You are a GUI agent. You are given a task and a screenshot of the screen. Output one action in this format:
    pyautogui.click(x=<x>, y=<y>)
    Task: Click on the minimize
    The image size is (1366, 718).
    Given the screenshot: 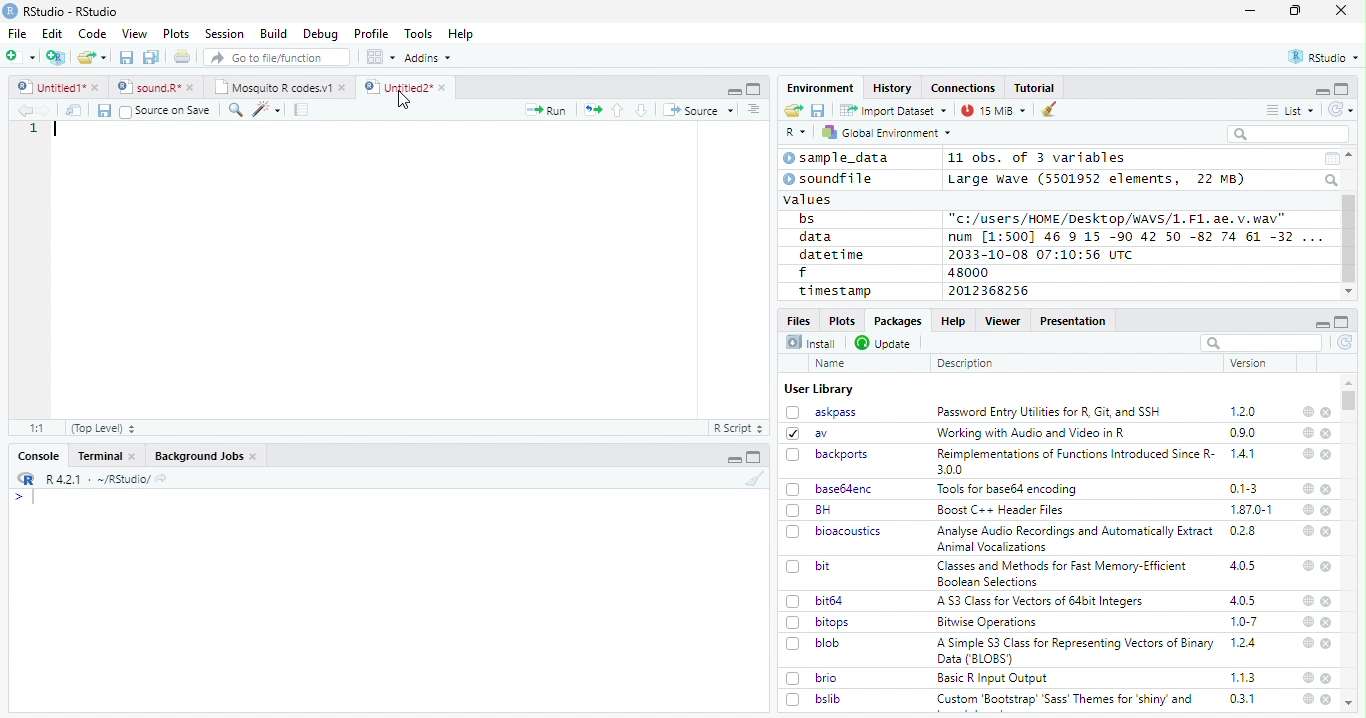 What is the action you would take?
    pyautogui.click(x=1253, y=11)
    